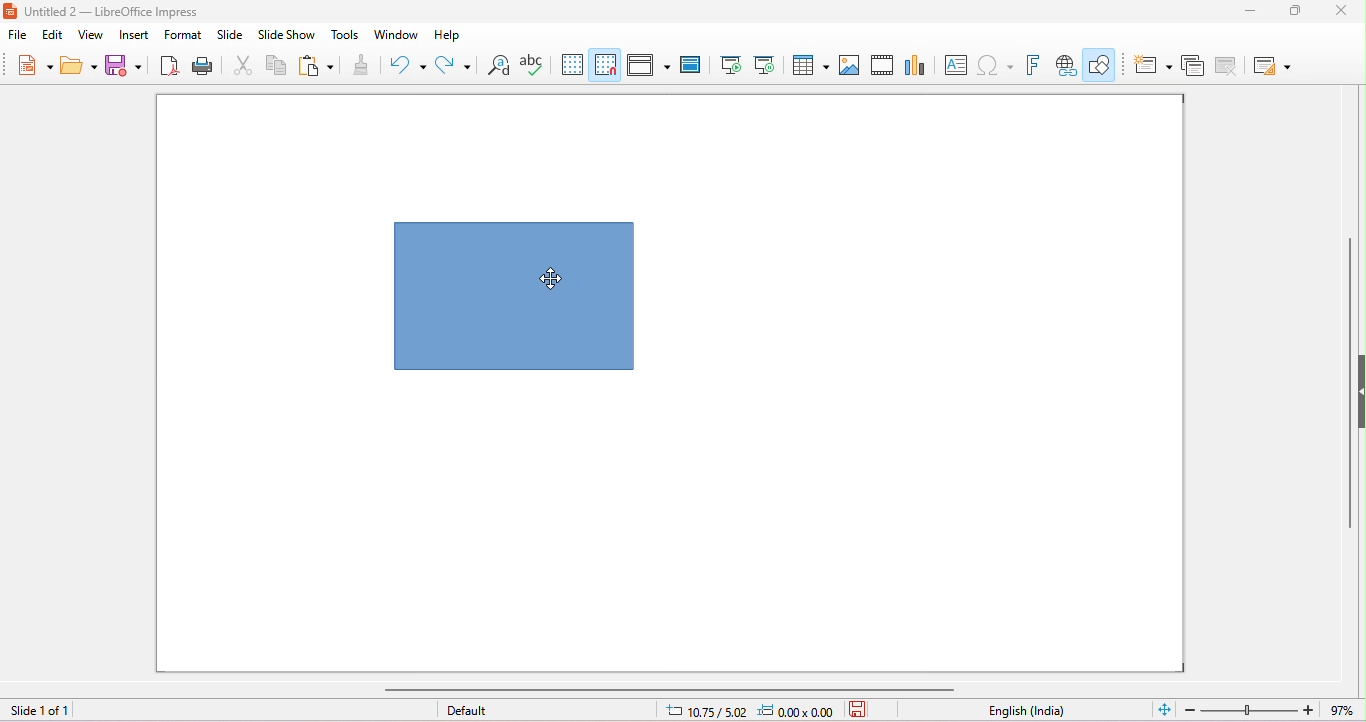 The image size is (1366, 722). Describe the element at coordinates (690, 64) in the screenshot. I see `master slide` at that location.